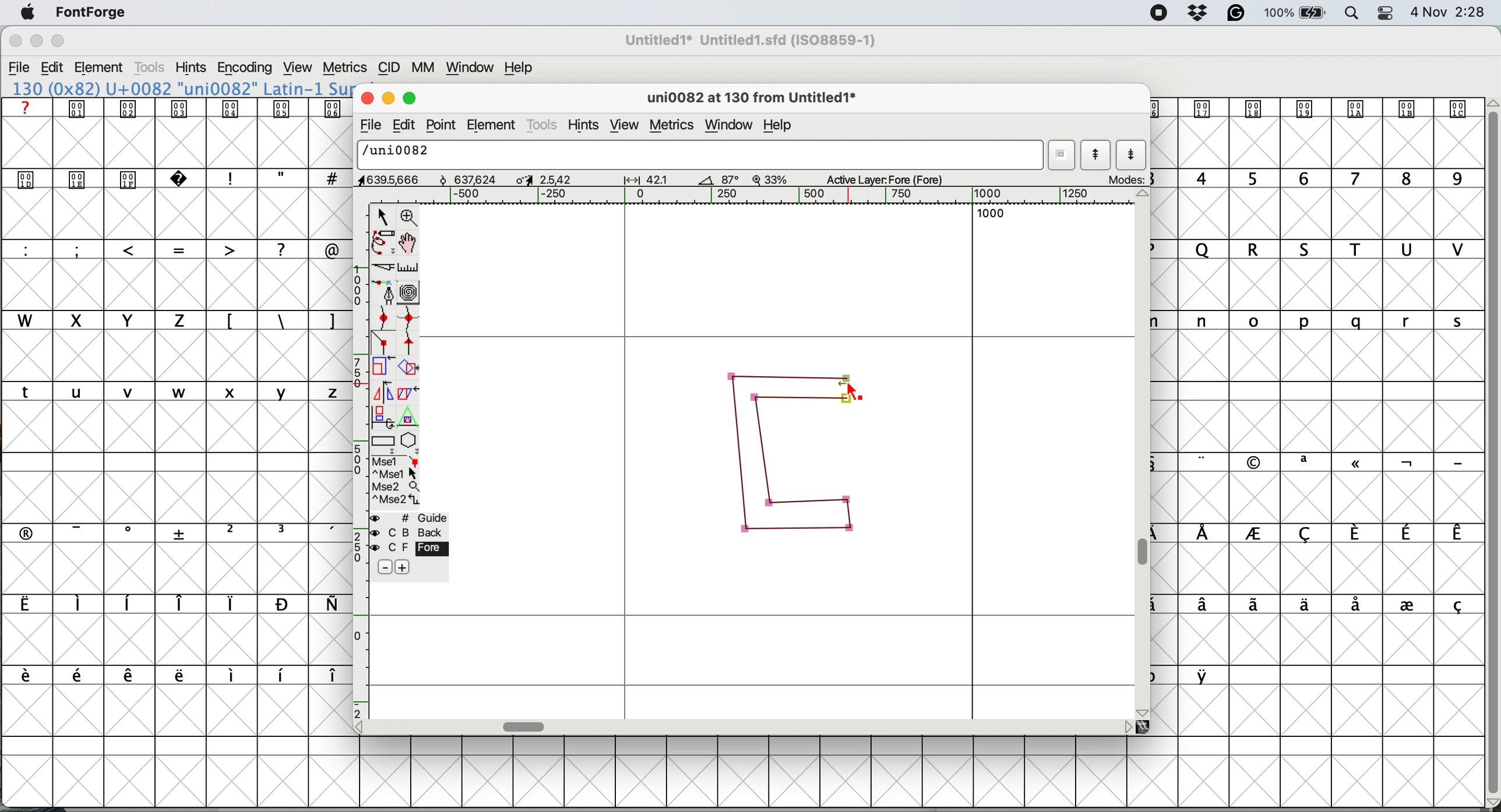 Image resolution: width=1501 pixels, height=812 pixels. What do you see at coordinates (1453, 12) in the screenshot?
I see `Date and Time` at bounding box center [1453, 12].